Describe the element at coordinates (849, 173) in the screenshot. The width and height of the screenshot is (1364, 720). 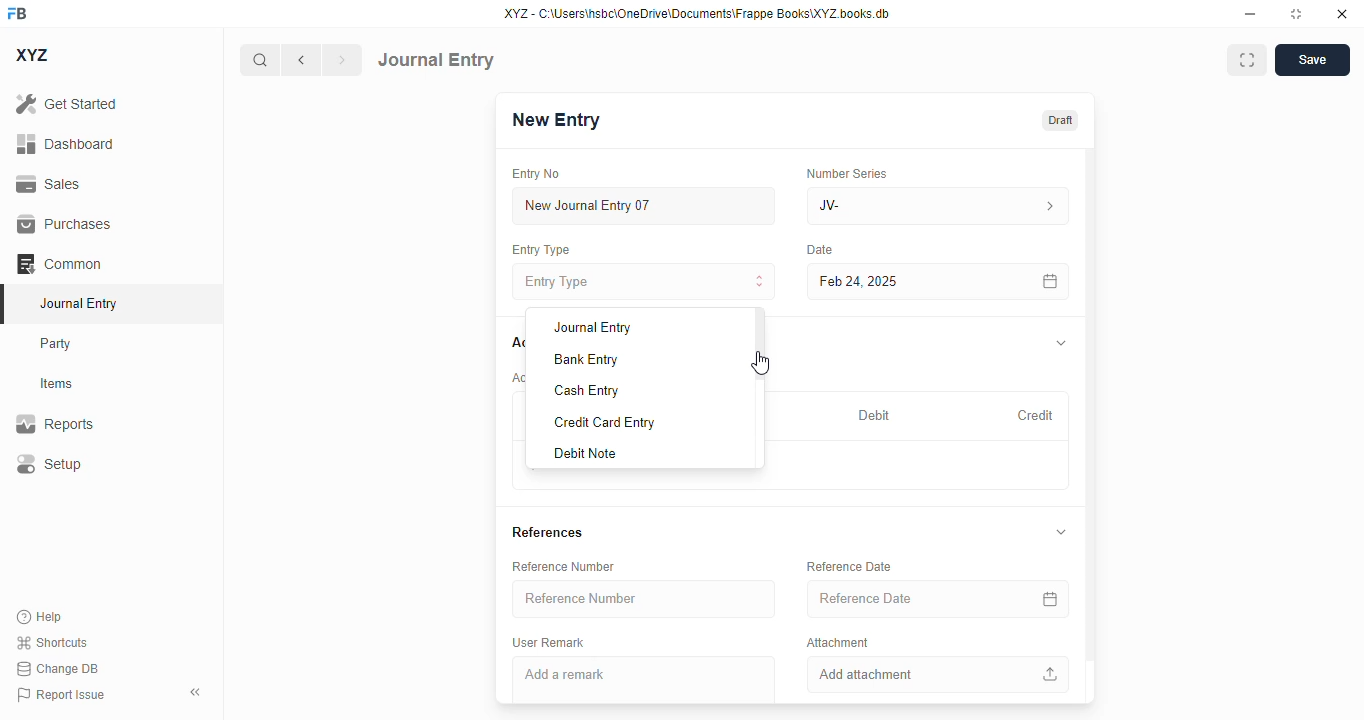
I see `number series` at that location.